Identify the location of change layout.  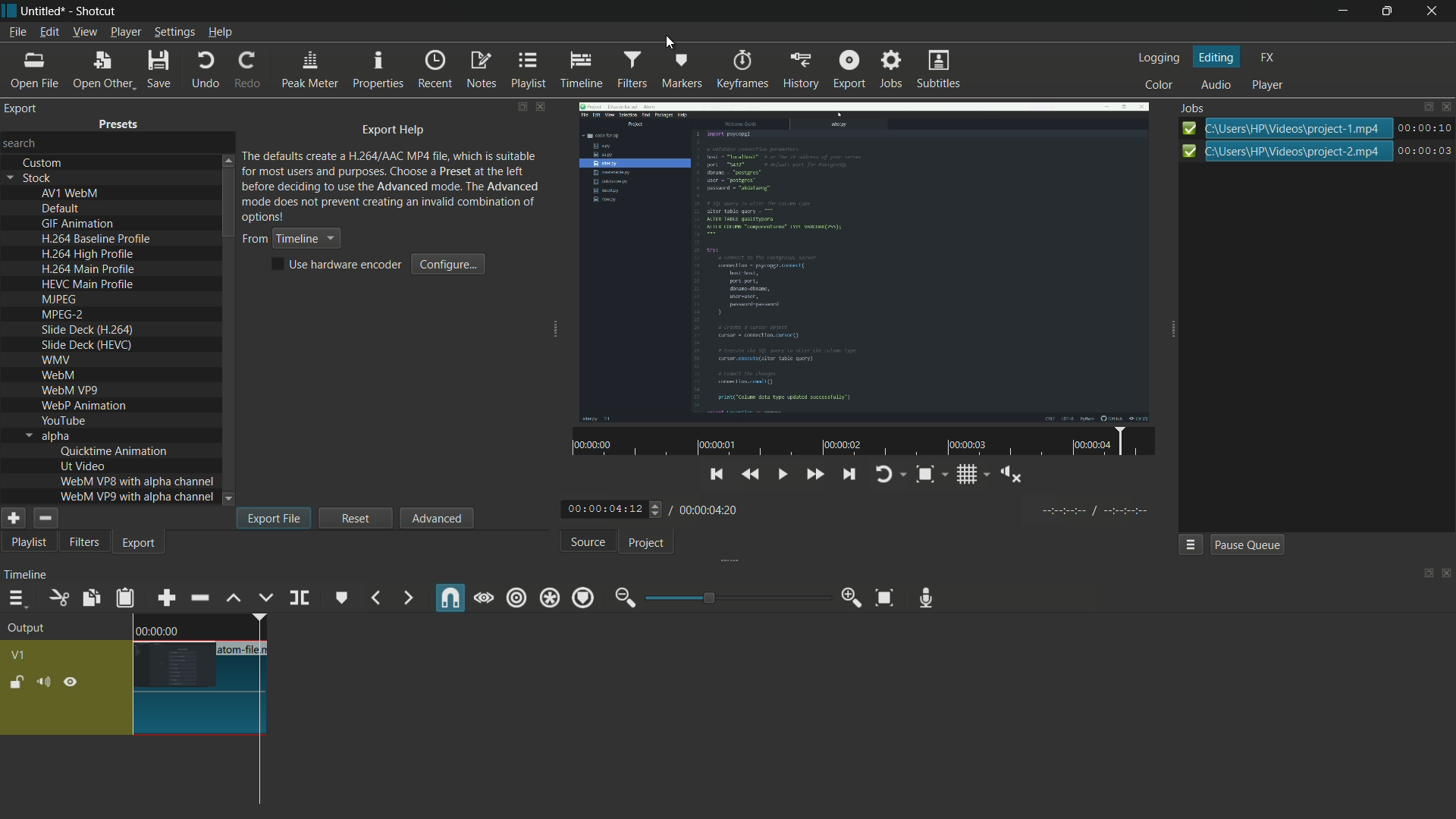
(1423, 574).